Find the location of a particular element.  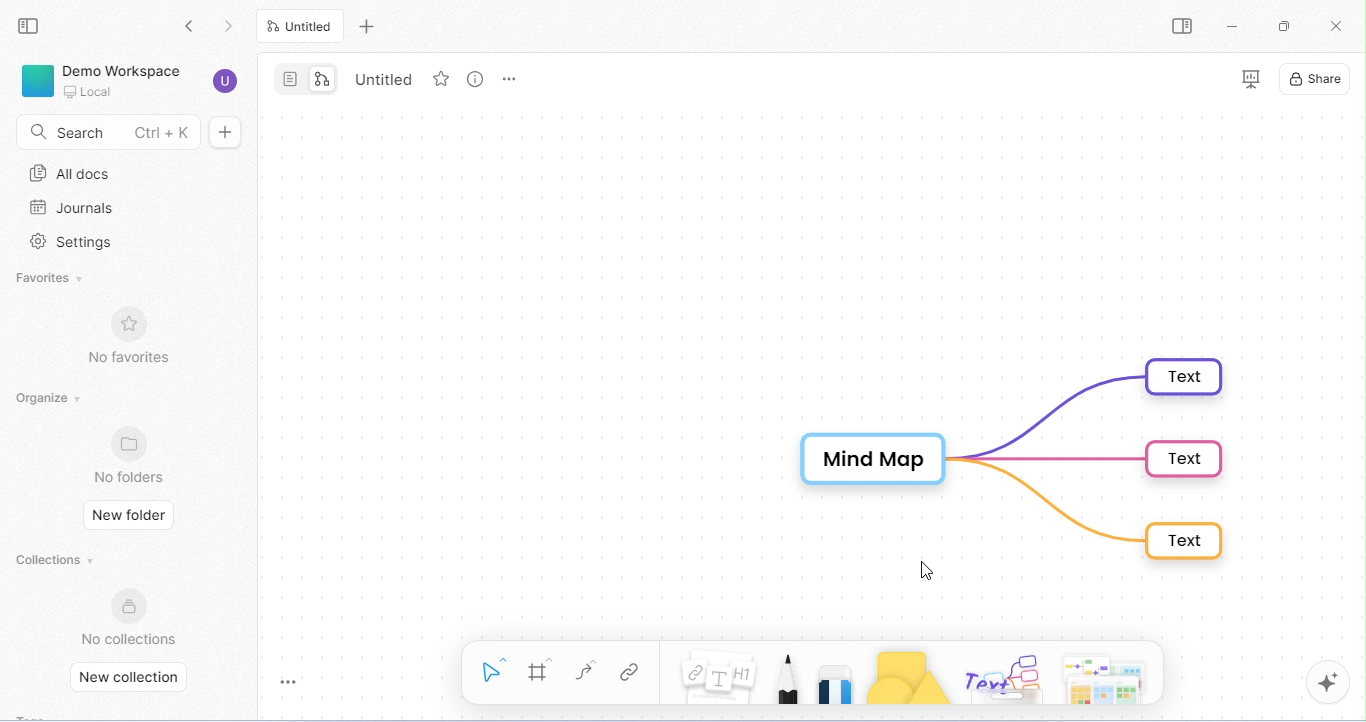

toggle zoom is located at coordinates (296, 683).